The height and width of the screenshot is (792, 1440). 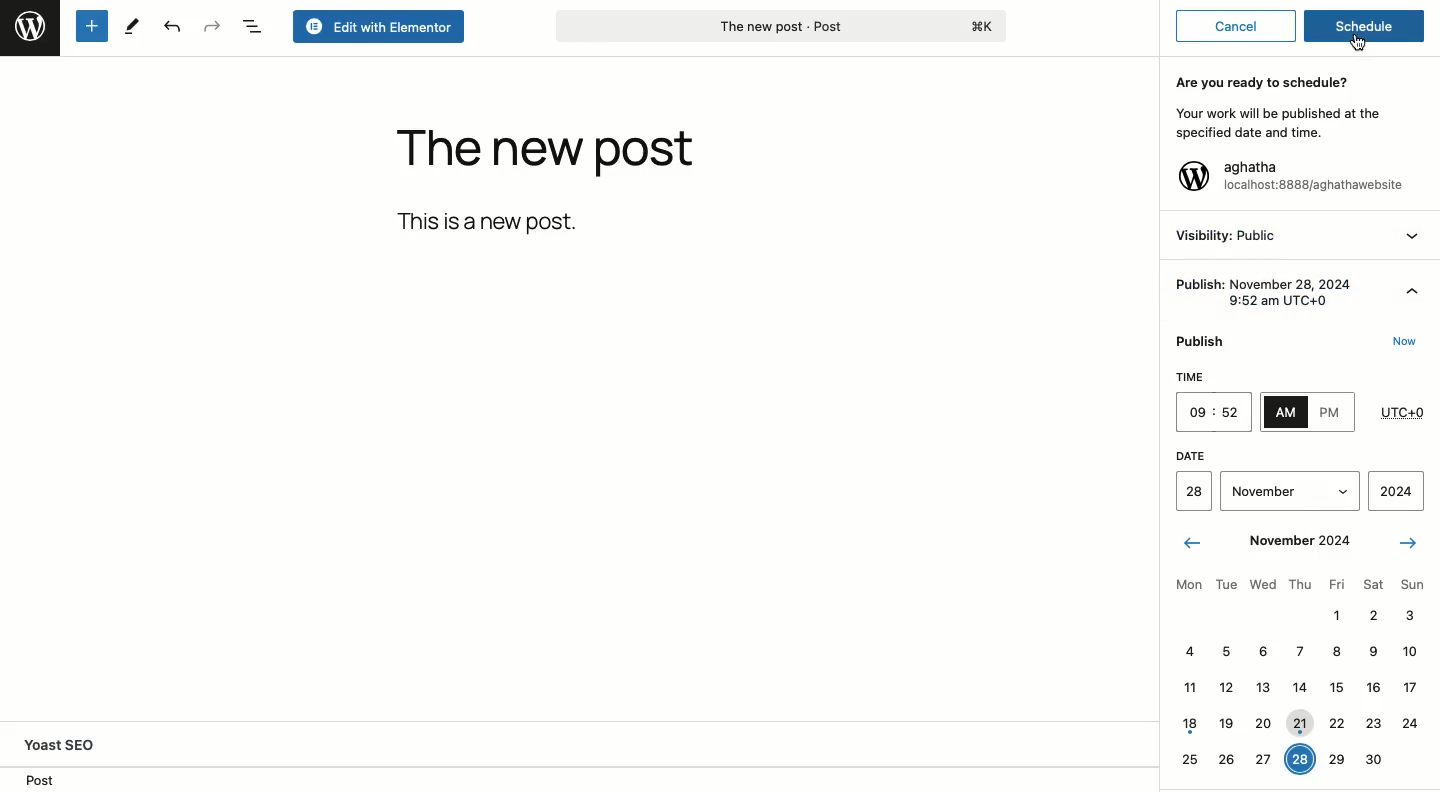 I want to click on Cancel, so click(x=1236, y=26).